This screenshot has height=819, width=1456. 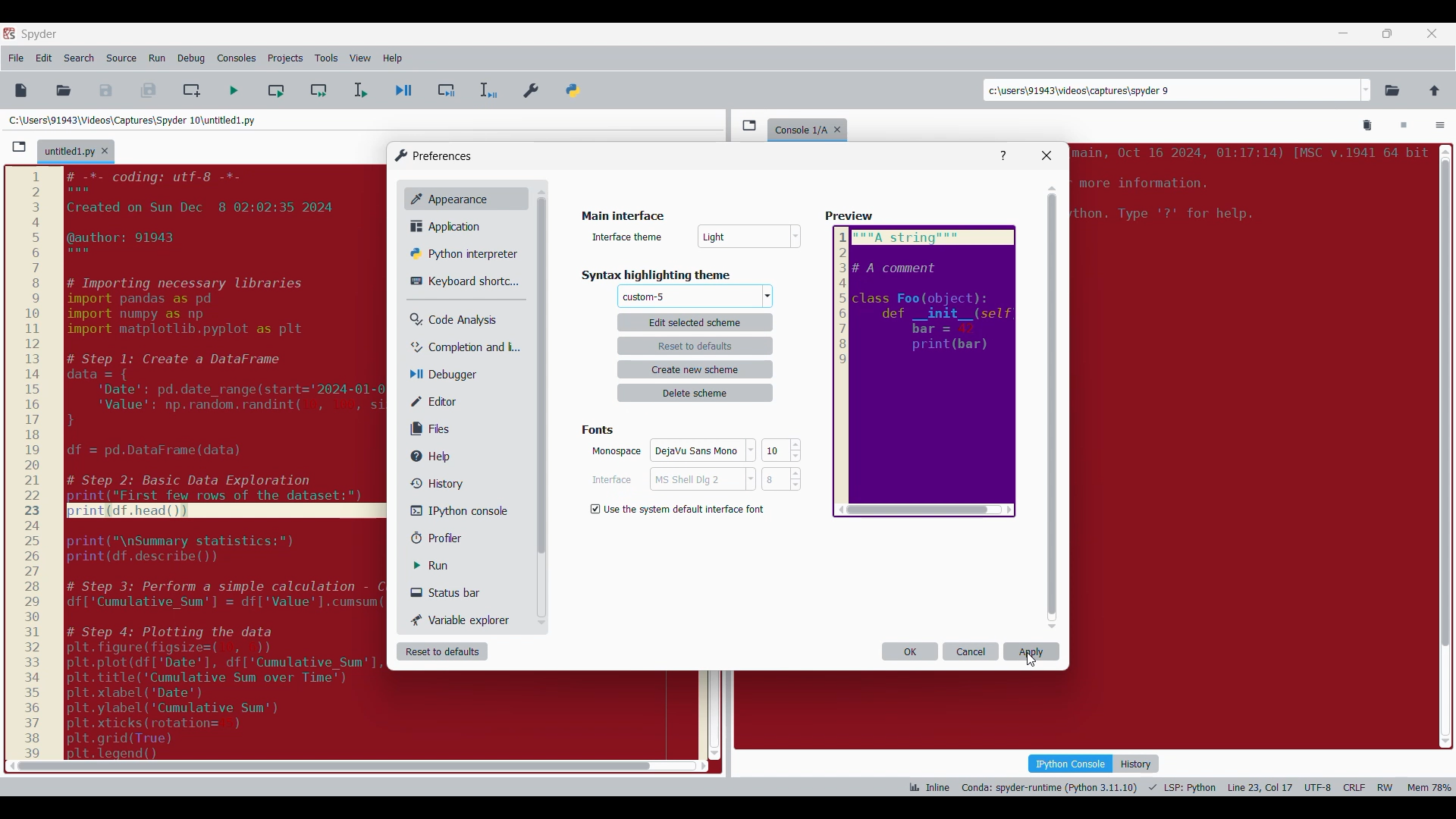 I want to click on Apply, so click(x=1031, y=651).